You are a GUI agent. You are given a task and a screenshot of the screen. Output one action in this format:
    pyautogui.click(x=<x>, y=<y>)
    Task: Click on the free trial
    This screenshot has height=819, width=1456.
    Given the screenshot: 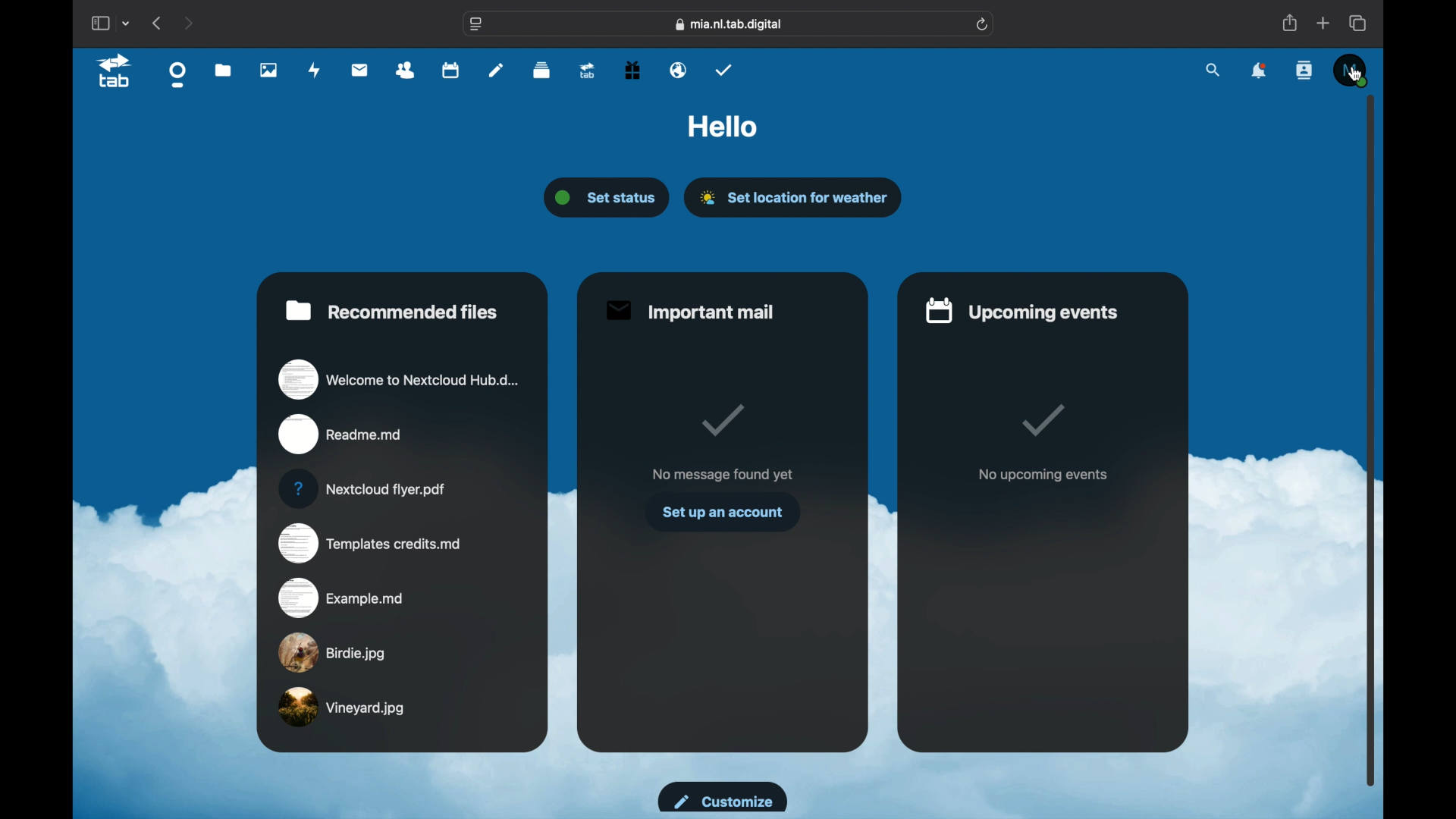 What is the action you would take?
    pyautogui.click(x=632, y=70)
    